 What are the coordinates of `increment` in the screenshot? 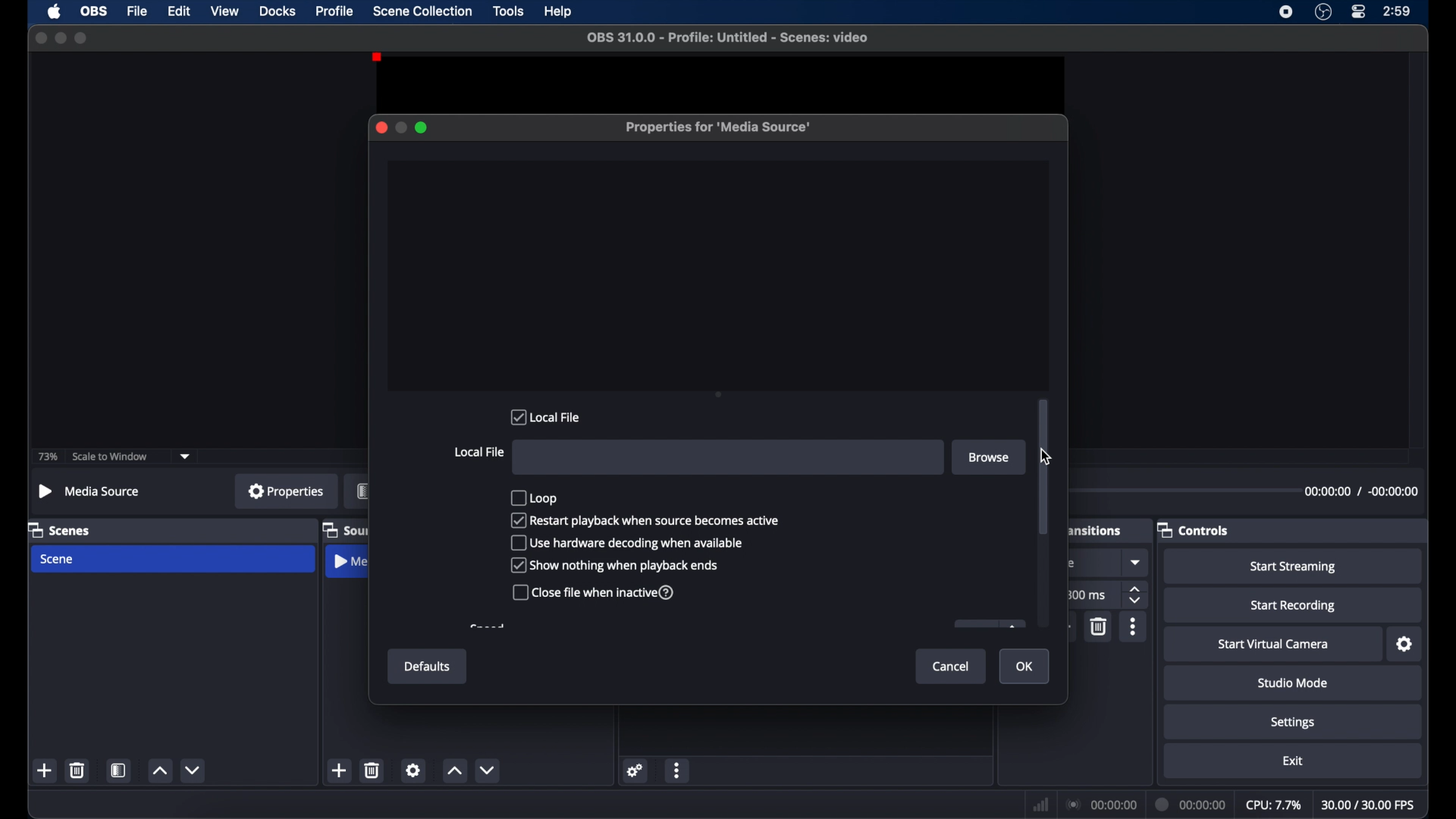 It's located at (454, 771).